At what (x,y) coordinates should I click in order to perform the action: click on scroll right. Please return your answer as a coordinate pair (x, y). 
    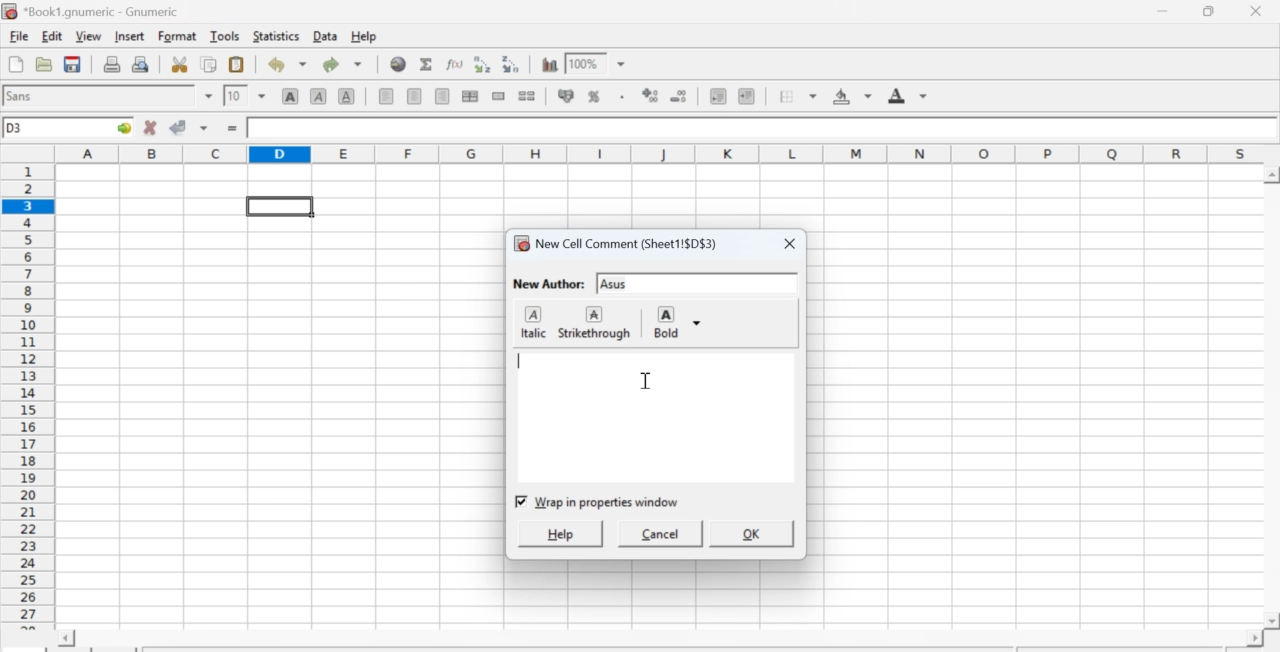
    Looking at the image, I should click on (1254, 638).